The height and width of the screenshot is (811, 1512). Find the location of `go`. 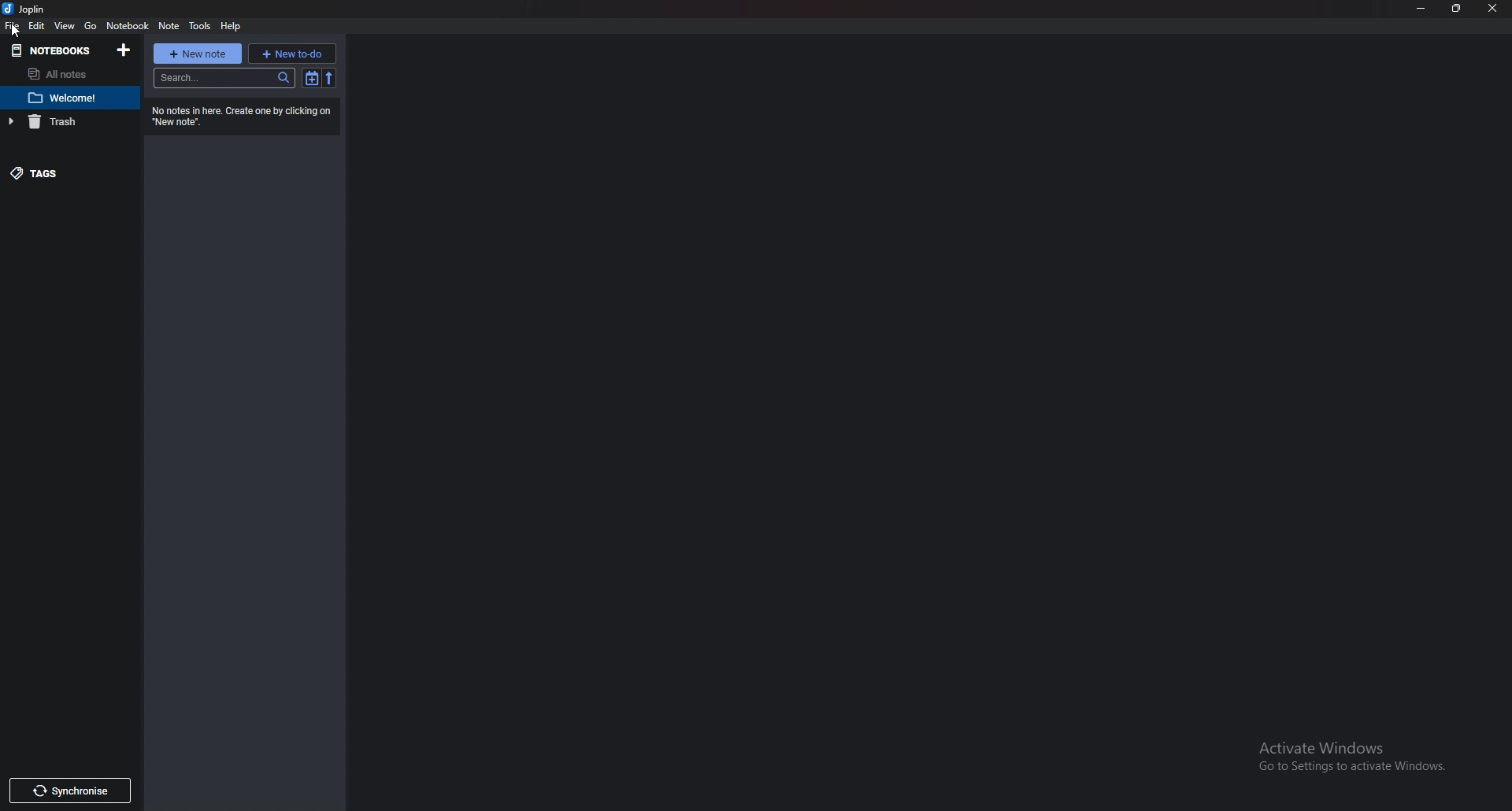

go is located at coordinates (91, 24).